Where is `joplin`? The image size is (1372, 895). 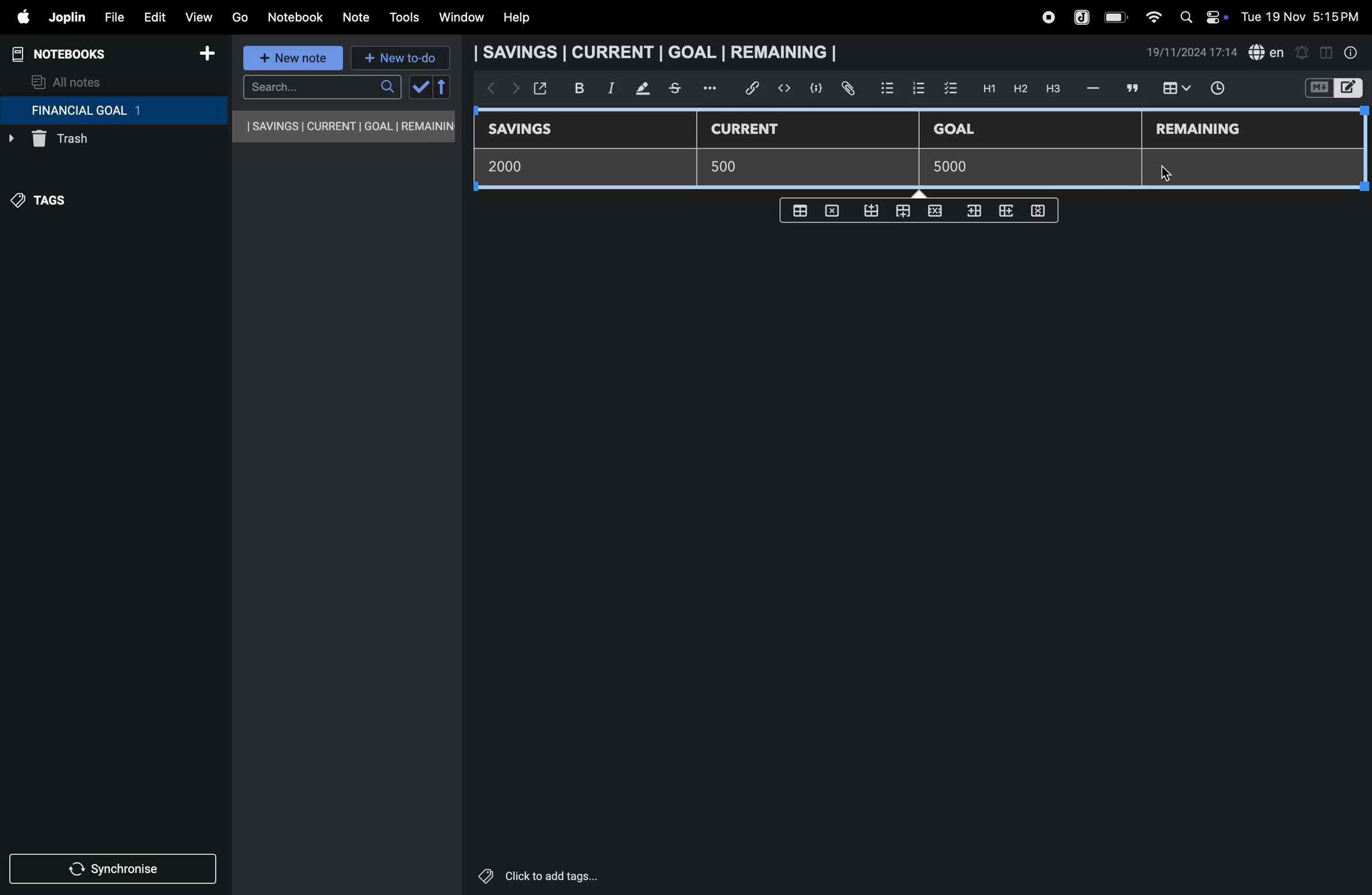
joplin is located at coordinates (1083, 16).